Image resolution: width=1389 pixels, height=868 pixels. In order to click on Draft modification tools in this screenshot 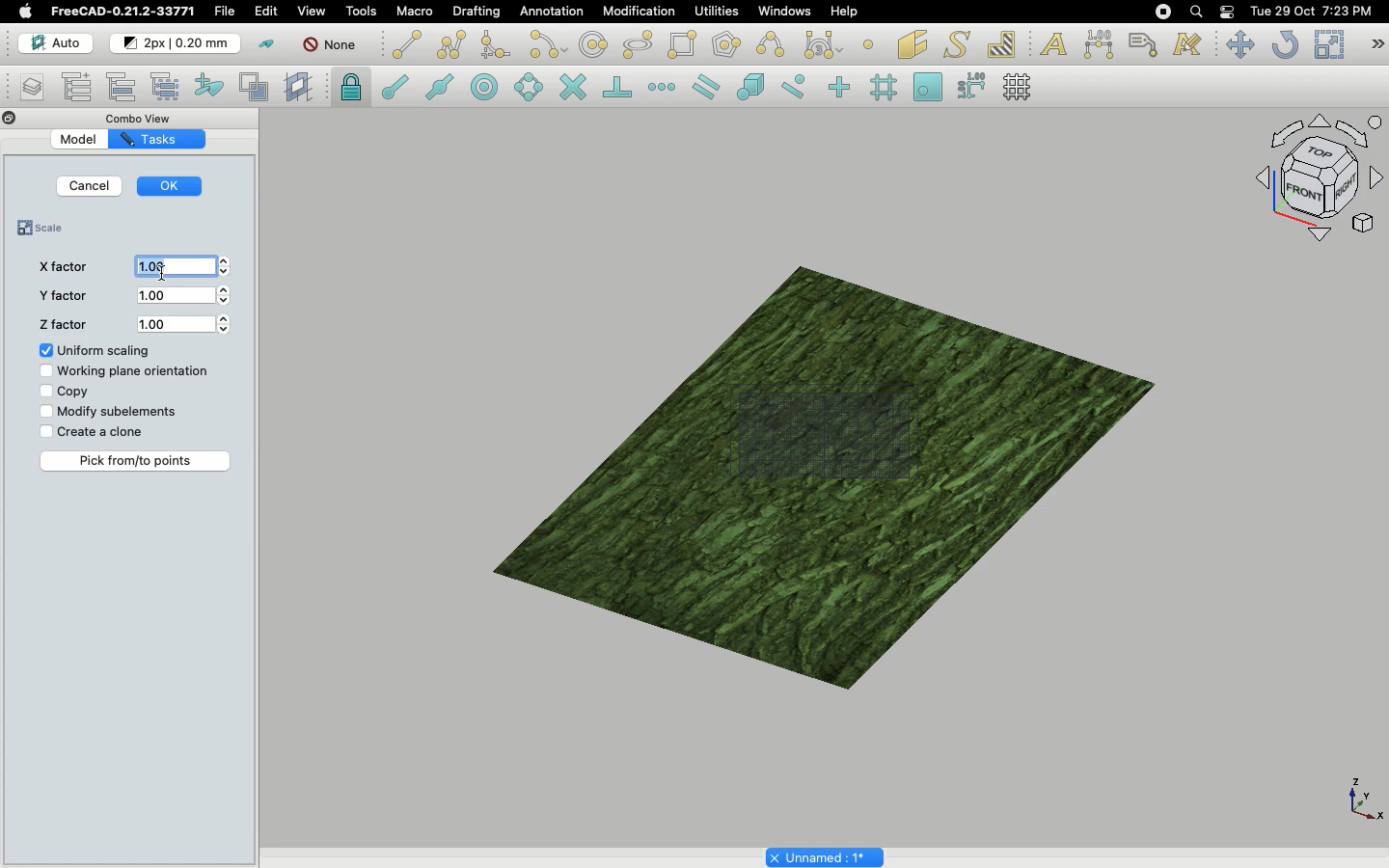, I will do `click(1377, 44)`.